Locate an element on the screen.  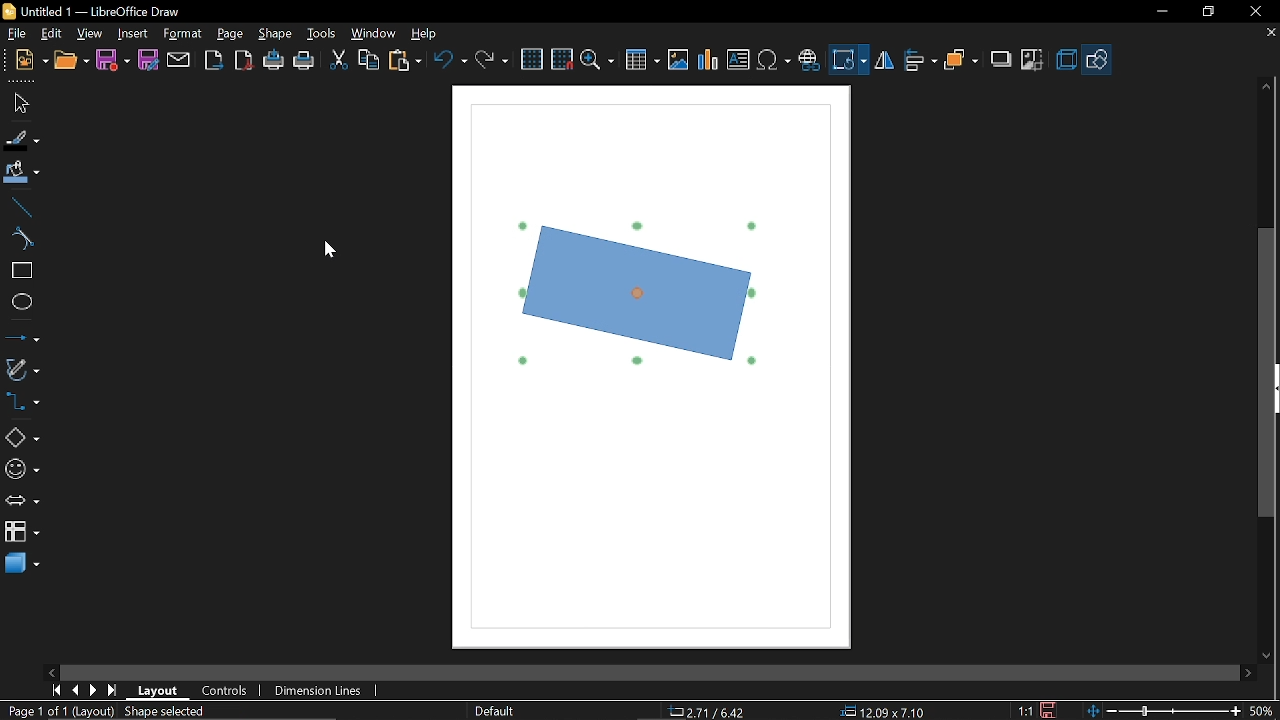
64.28x31.12 is located at coordinates (888, 711).